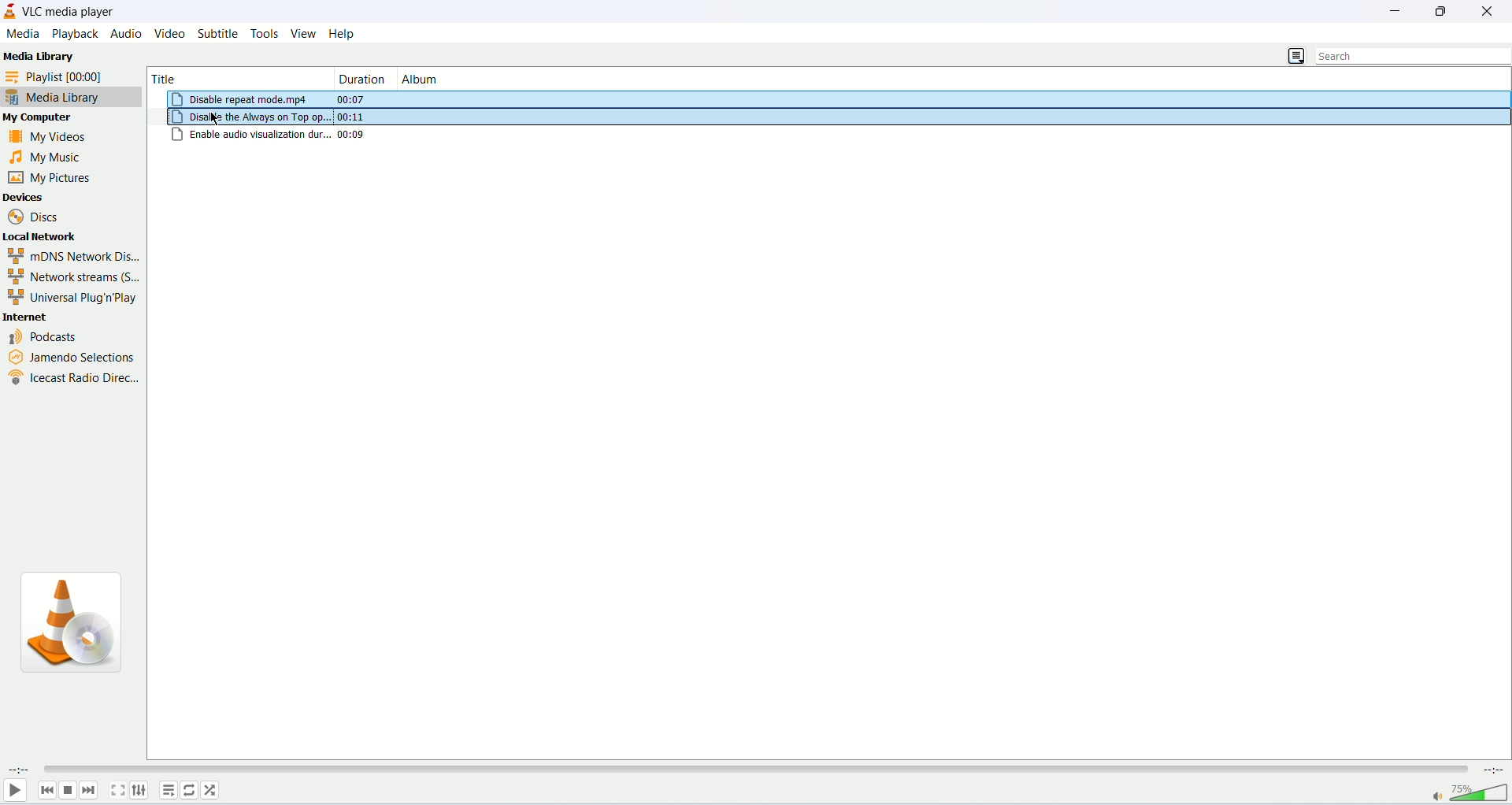  I want to click on my music, so click(57, 158).